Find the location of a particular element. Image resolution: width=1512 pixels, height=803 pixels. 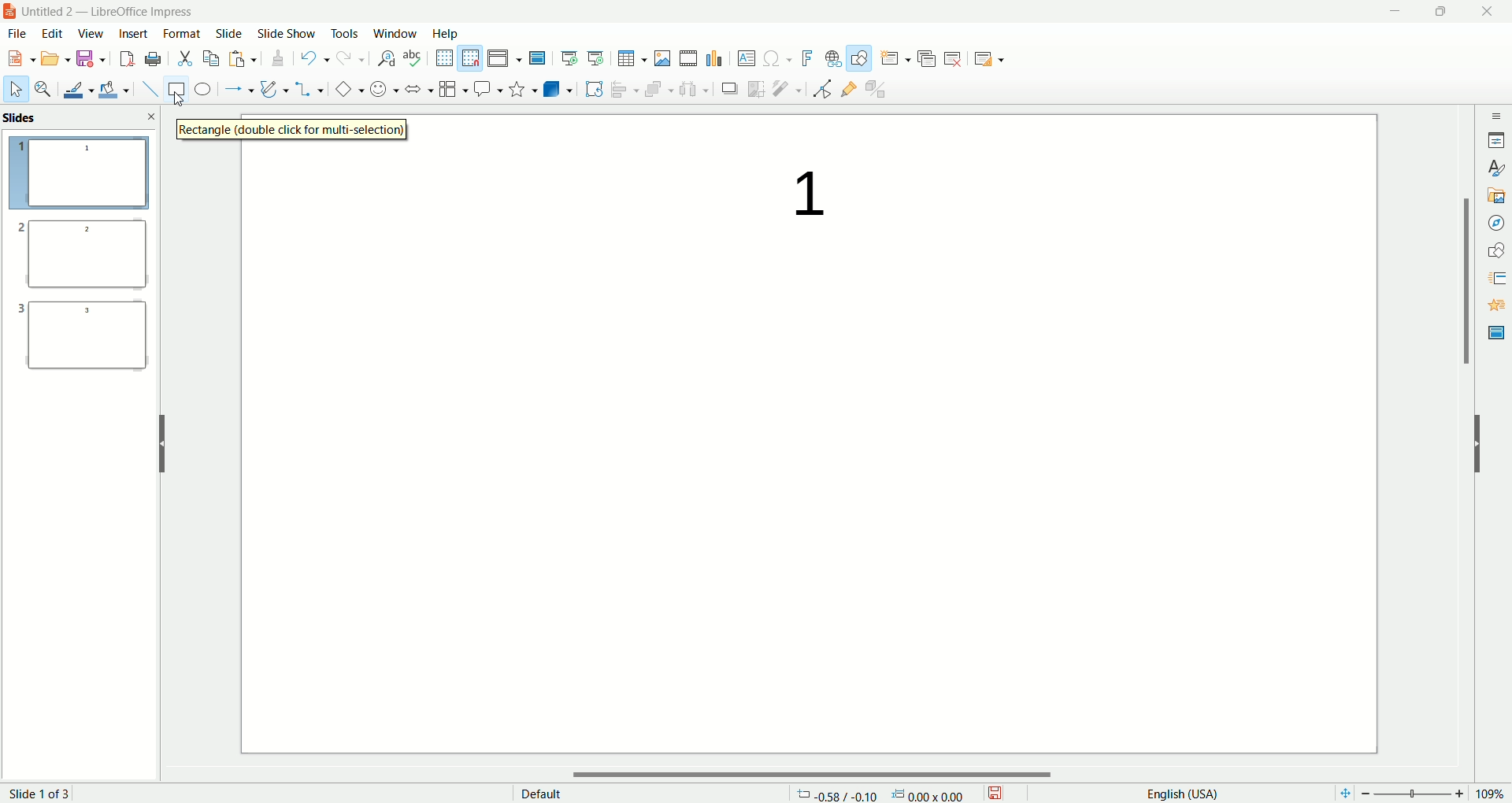

default is located at coordinates (539, 792).